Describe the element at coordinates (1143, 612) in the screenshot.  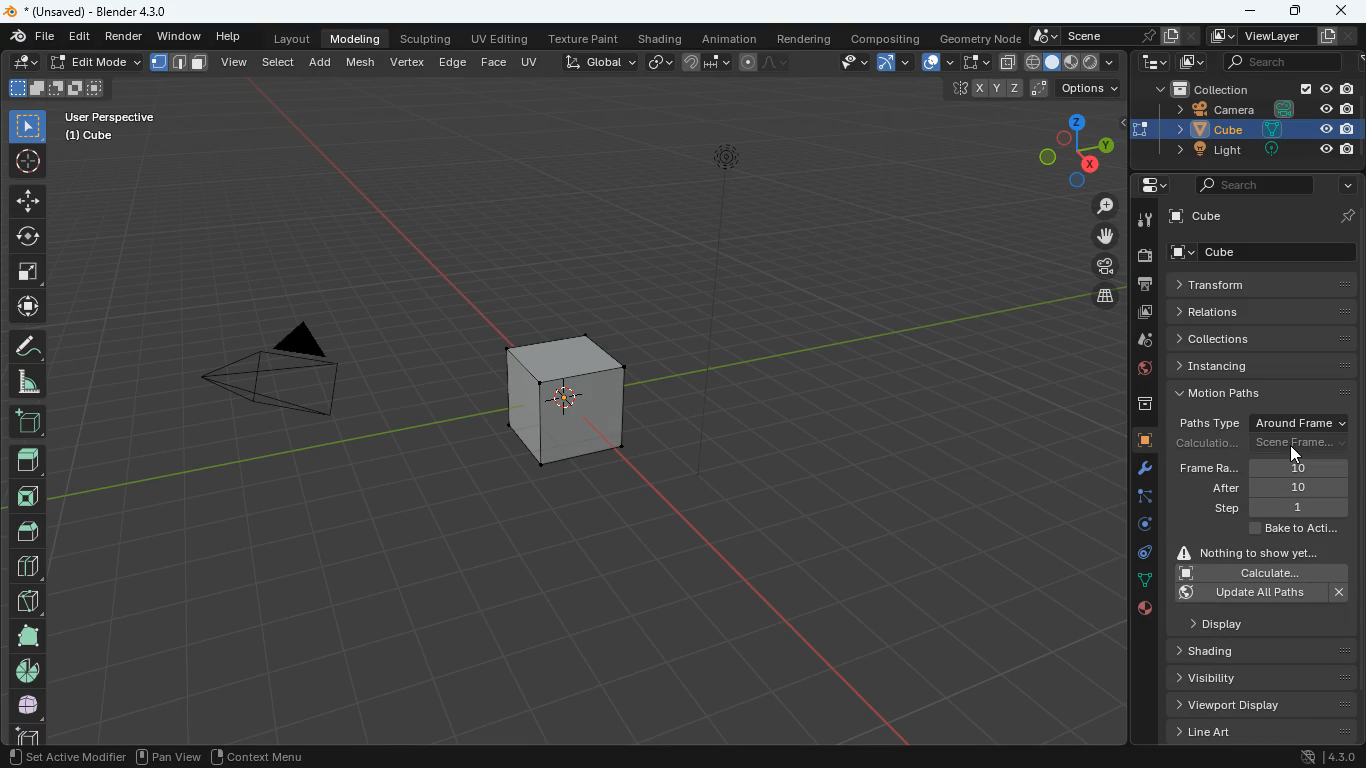
I see `public` at that location.